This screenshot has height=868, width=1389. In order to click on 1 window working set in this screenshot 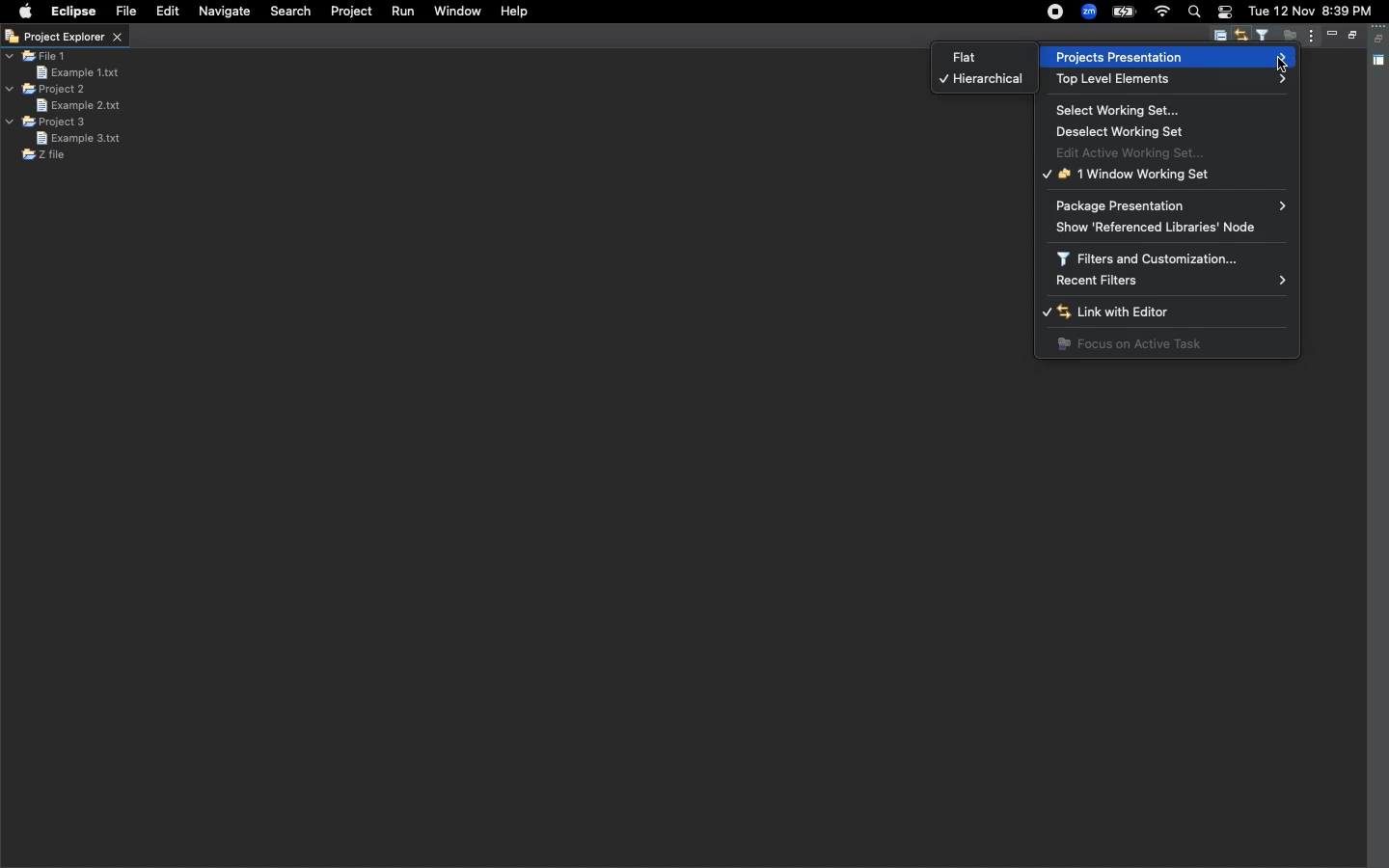, I will do `click(1130, 175)`.